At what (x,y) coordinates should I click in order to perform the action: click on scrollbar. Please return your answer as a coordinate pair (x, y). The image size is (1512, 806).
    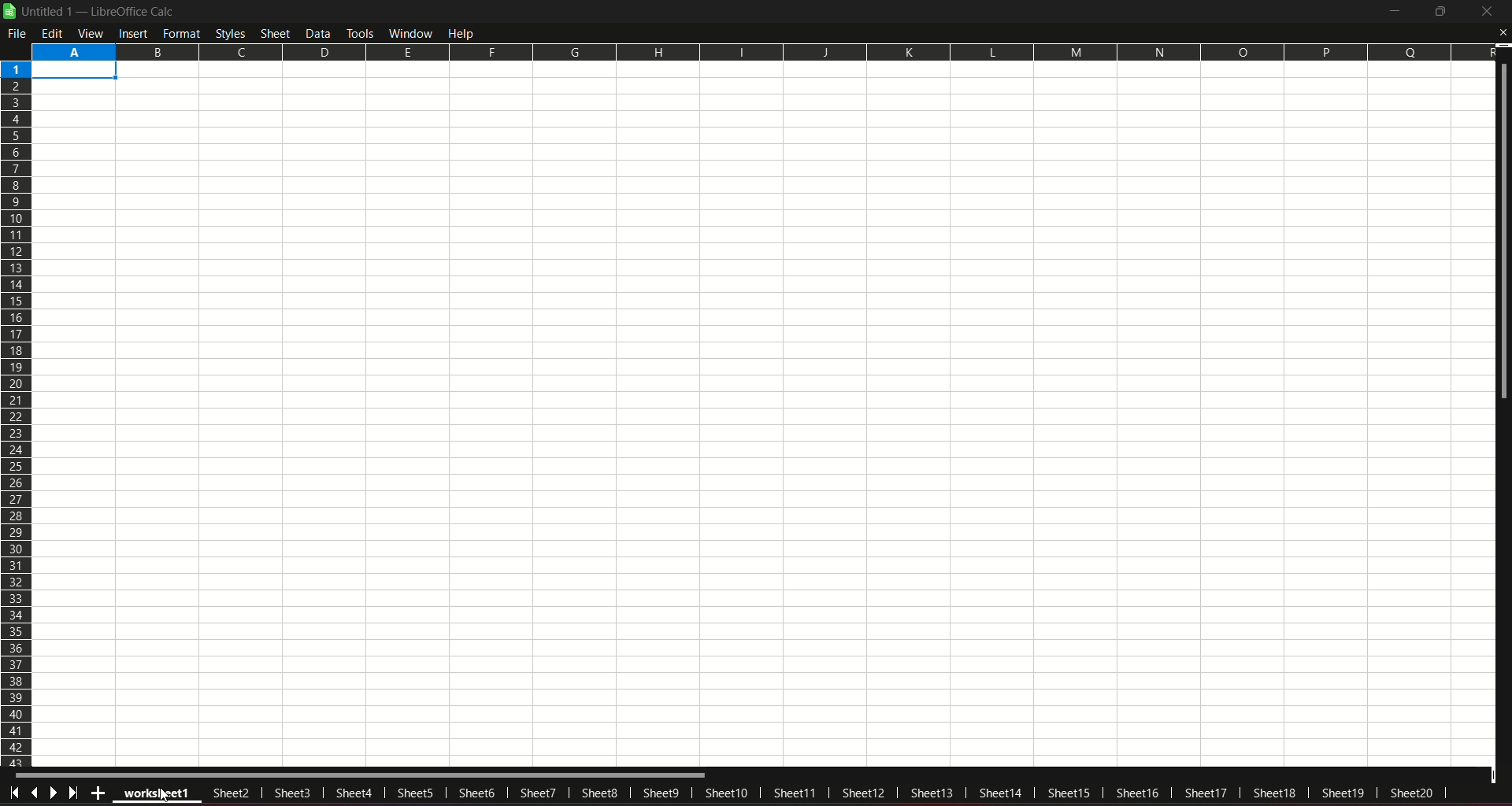
    Looking at the image, I should click on (362, 775).